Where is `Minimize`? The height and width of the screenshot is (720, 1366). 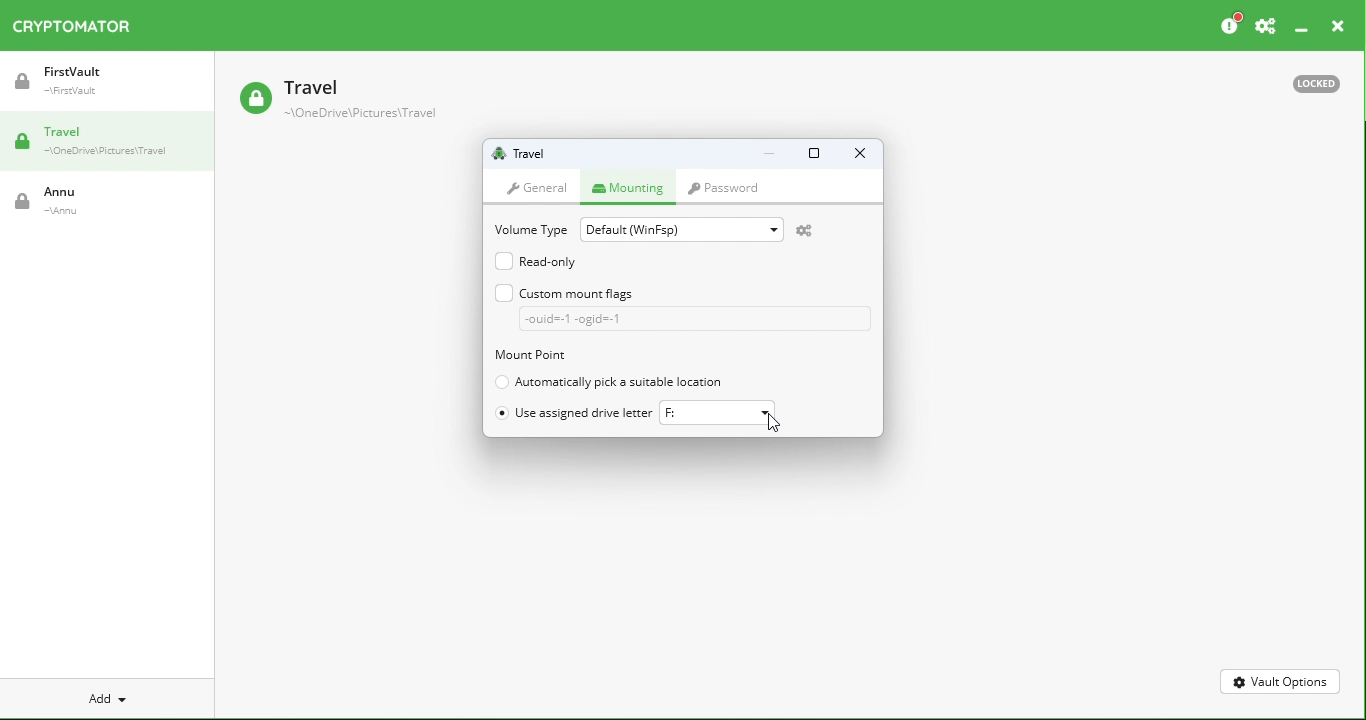
Minimize is located at coordinates (1300, 24).